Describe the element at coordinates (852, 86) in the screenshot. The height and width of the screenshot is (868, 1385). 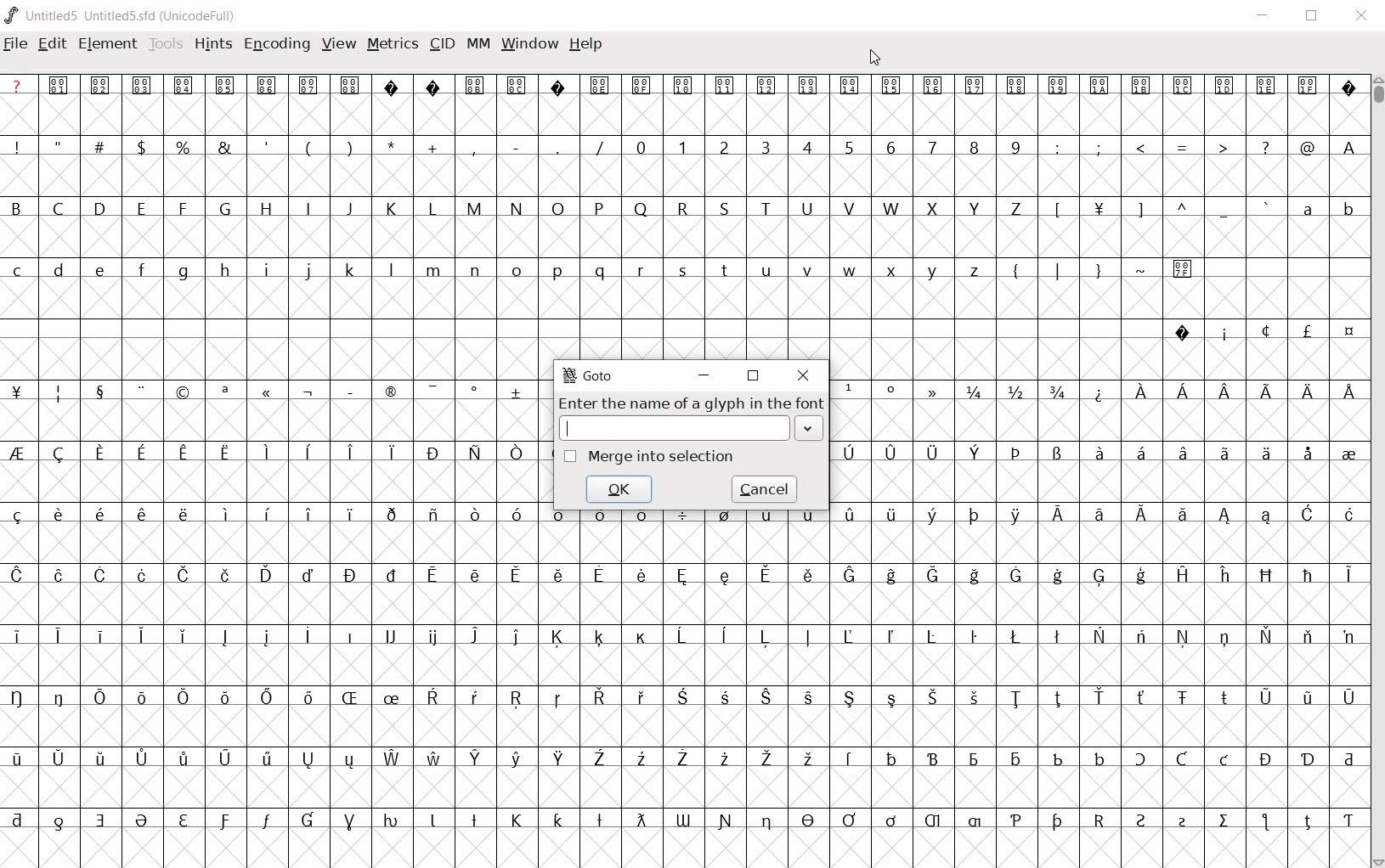
I see `Symbol` at that location.